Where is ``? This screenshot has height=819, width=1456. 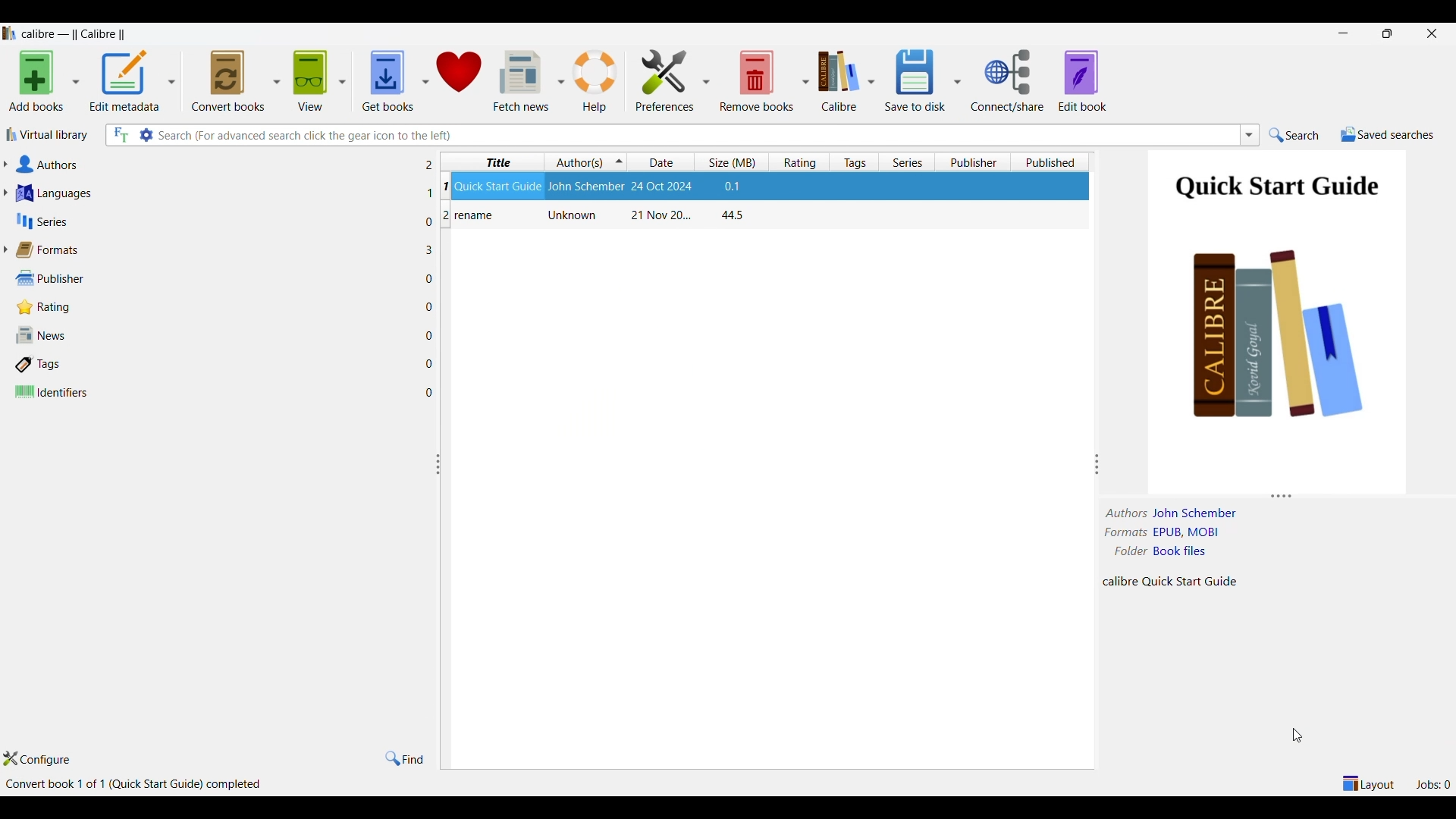  is located at coordinates (1275, 318).